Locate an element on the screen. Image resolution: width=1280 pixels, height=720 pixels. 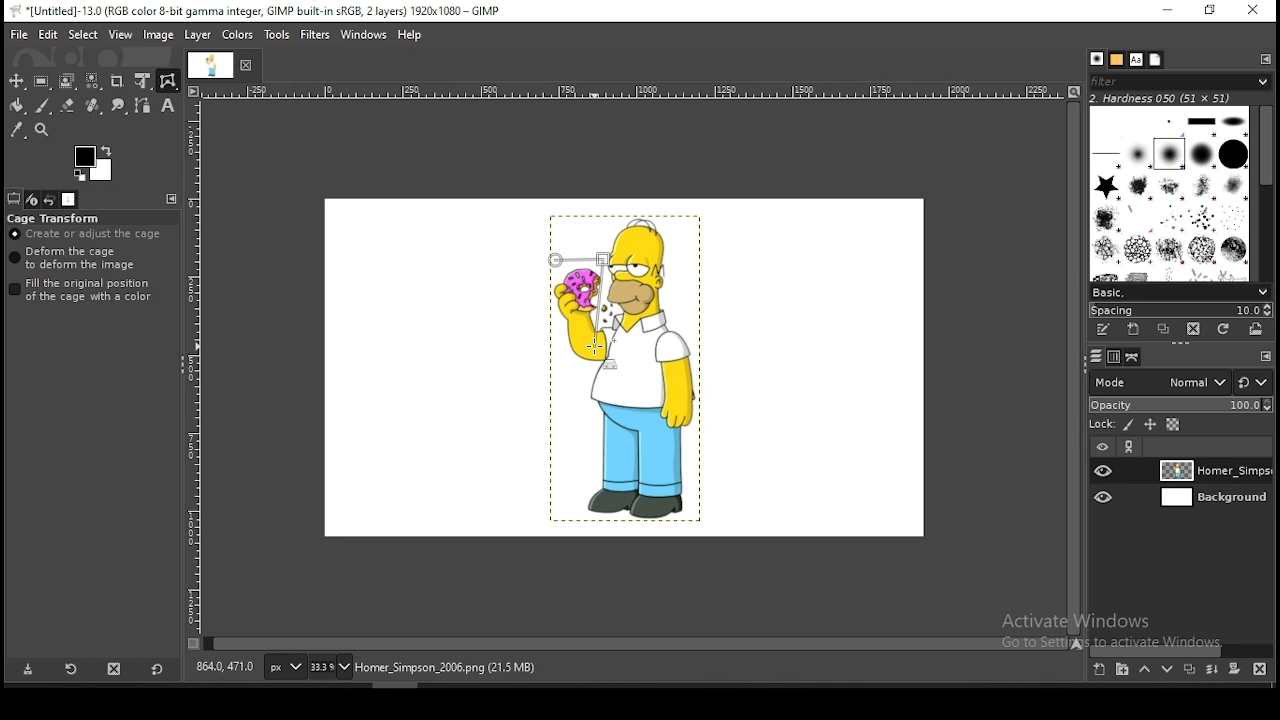
save tool preset is located at coordinates (28, 670).